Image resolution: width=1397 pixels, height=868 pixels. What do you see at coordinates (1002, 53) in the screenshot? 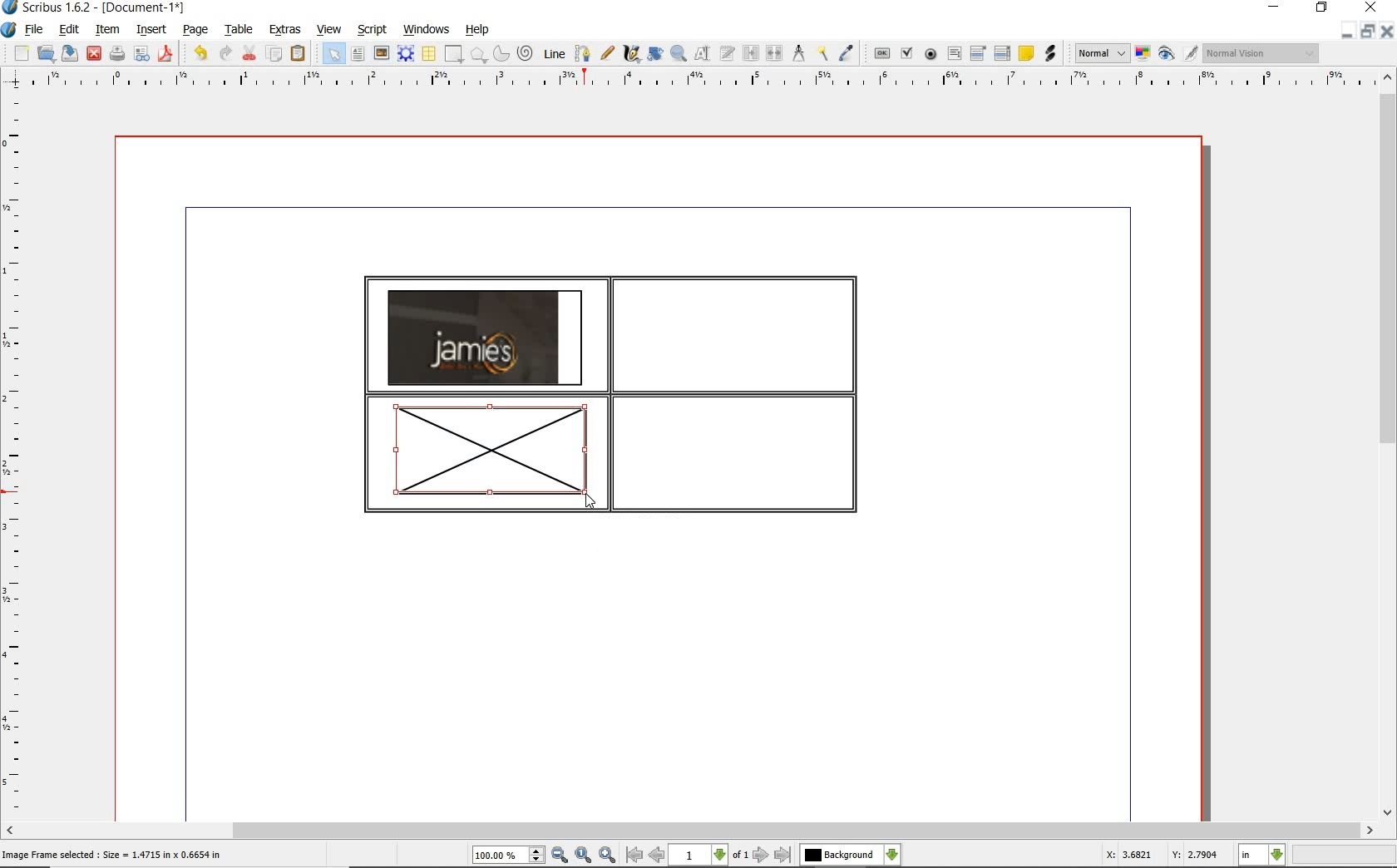
I see `PDF List Box` at bounding box center [1002, 53].